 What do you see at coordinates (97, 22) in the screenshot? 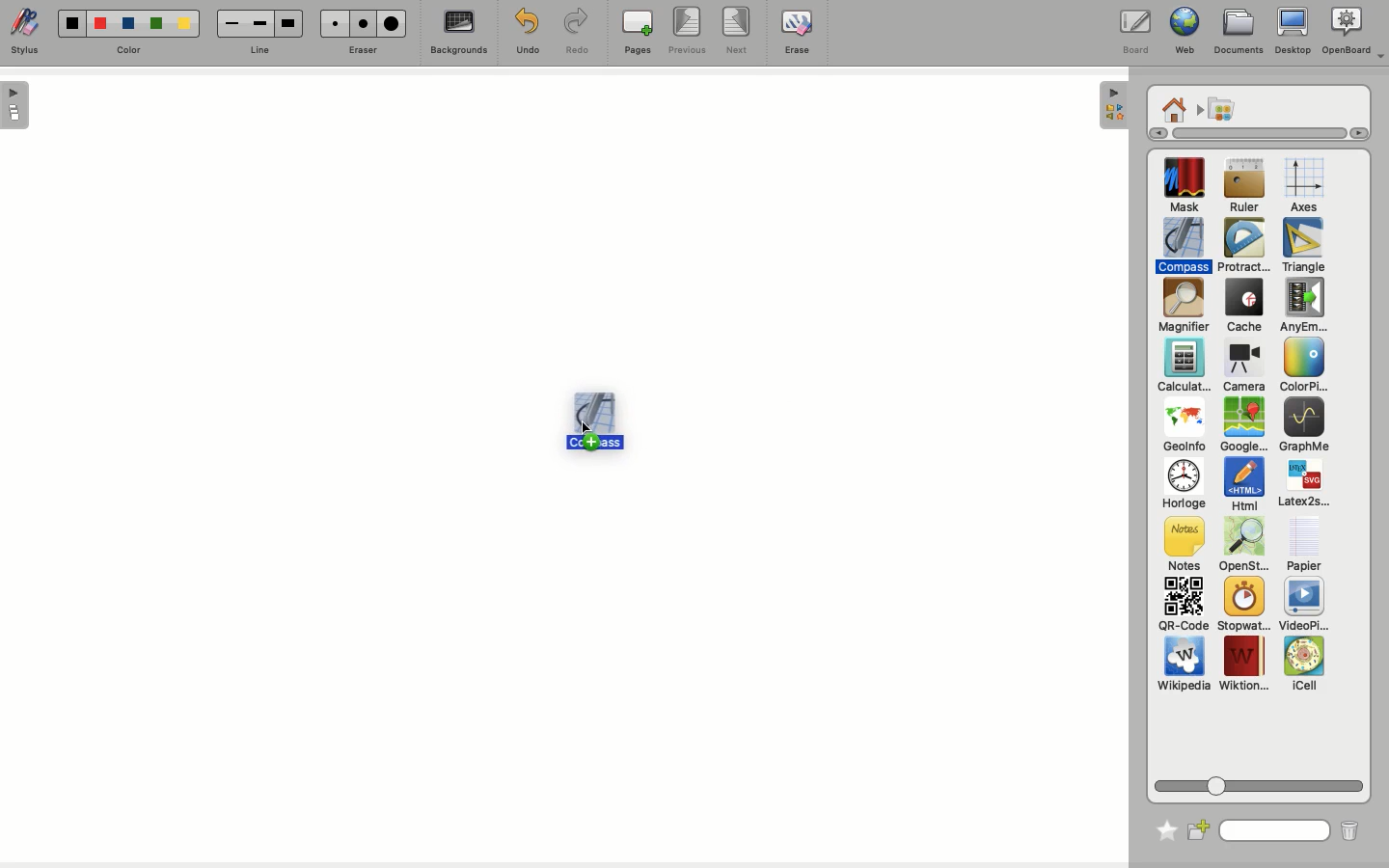
I see `color2` at bounding box center [97, 22].